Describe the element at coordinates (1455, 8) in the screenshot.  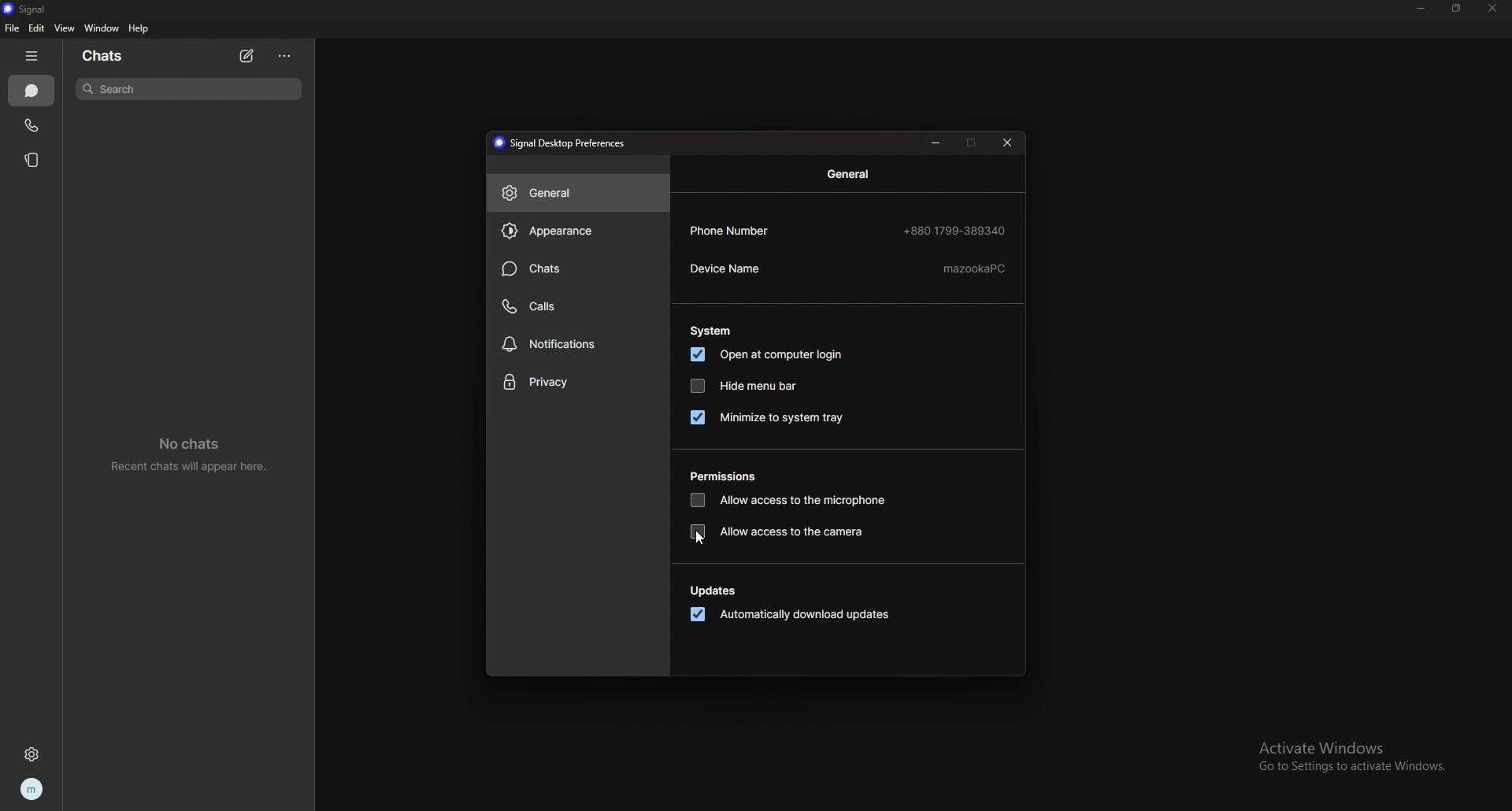
I see `resize` at that location.